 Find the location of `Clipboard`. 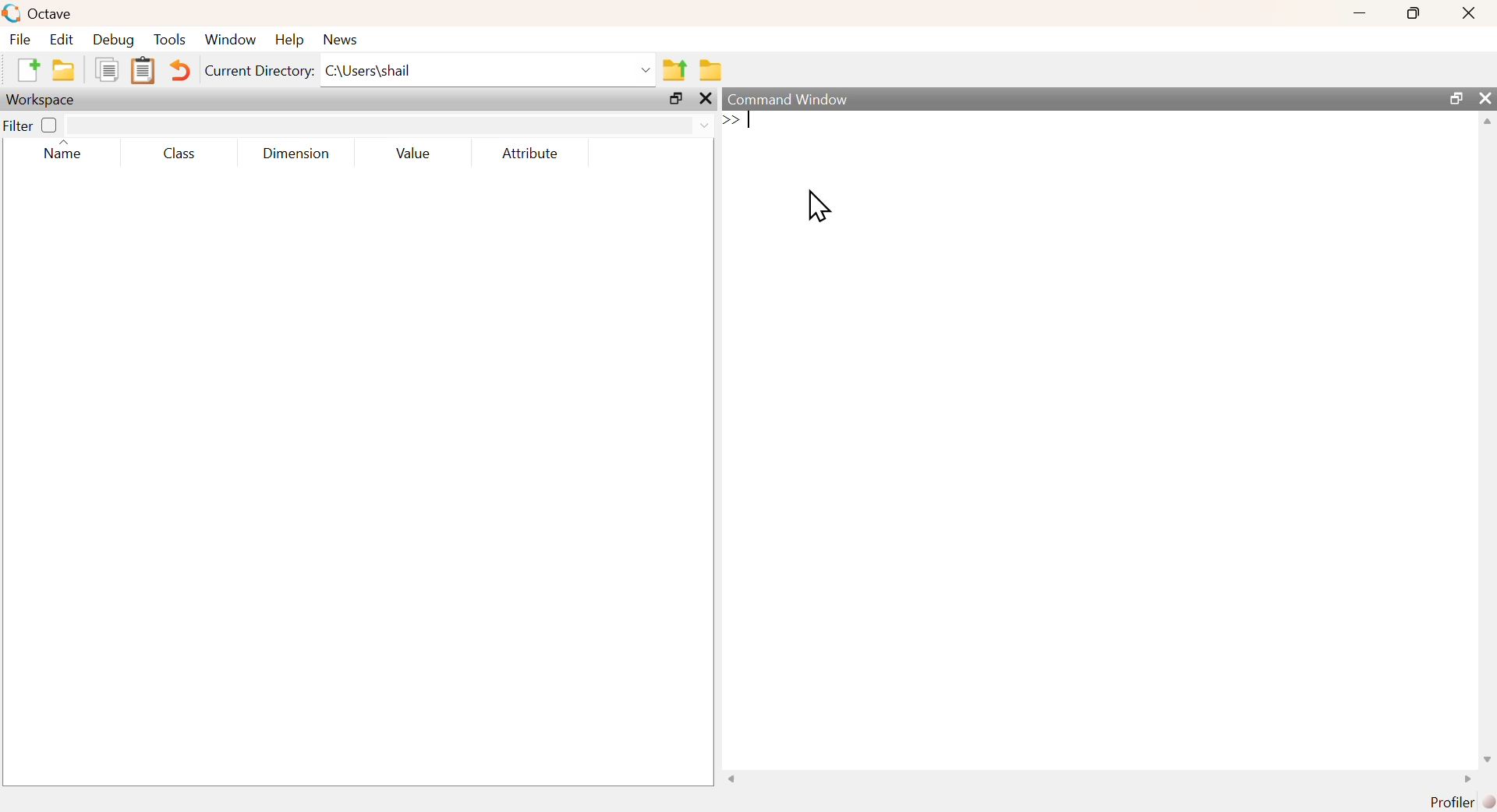

Clipboard is located at coordinates (143, 71).